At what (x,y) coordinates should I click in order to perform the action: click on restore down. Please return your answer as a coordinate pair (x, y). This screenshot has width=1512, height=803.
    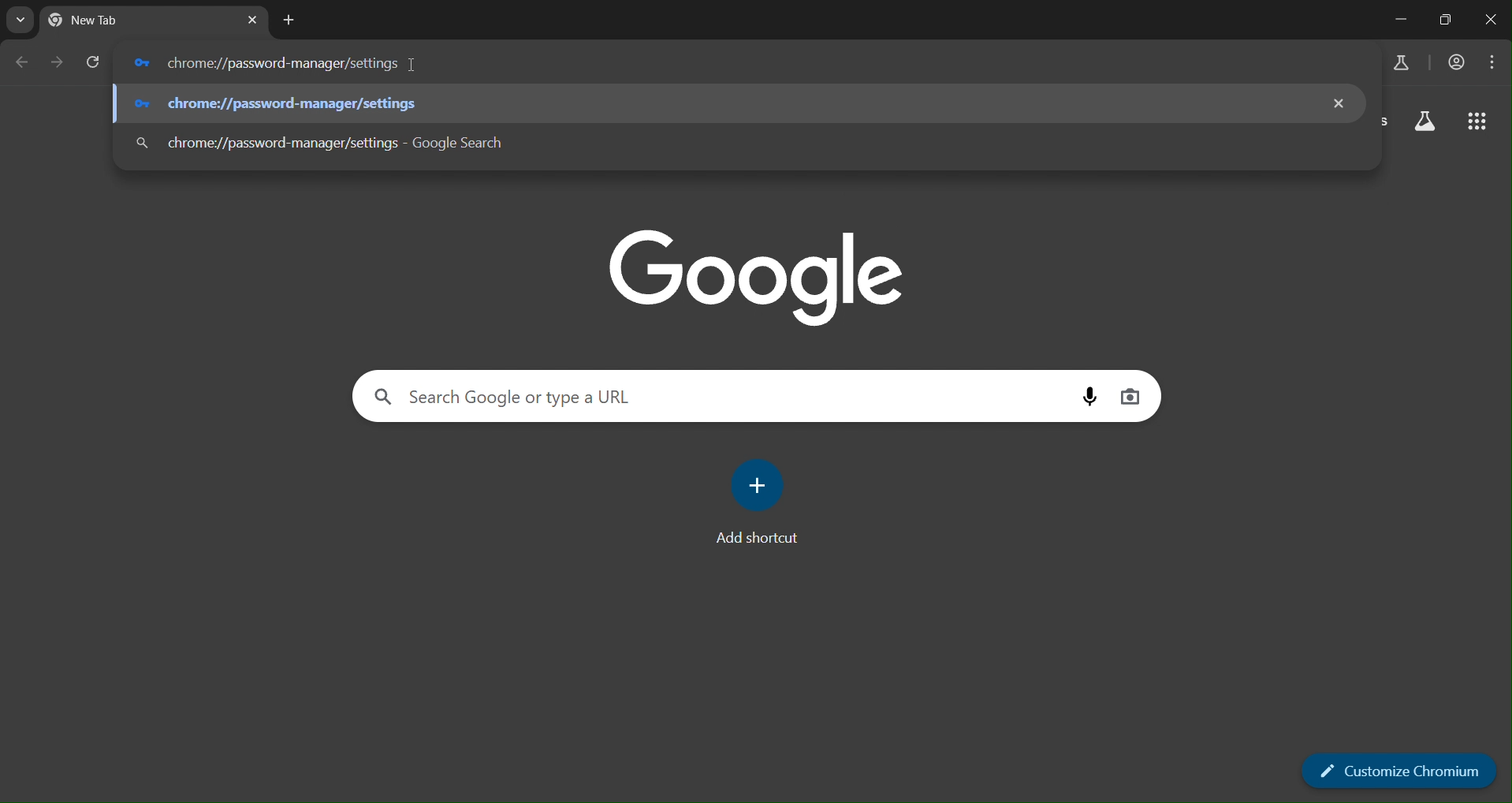
    Looking at the image, I should click on (1444, 19).